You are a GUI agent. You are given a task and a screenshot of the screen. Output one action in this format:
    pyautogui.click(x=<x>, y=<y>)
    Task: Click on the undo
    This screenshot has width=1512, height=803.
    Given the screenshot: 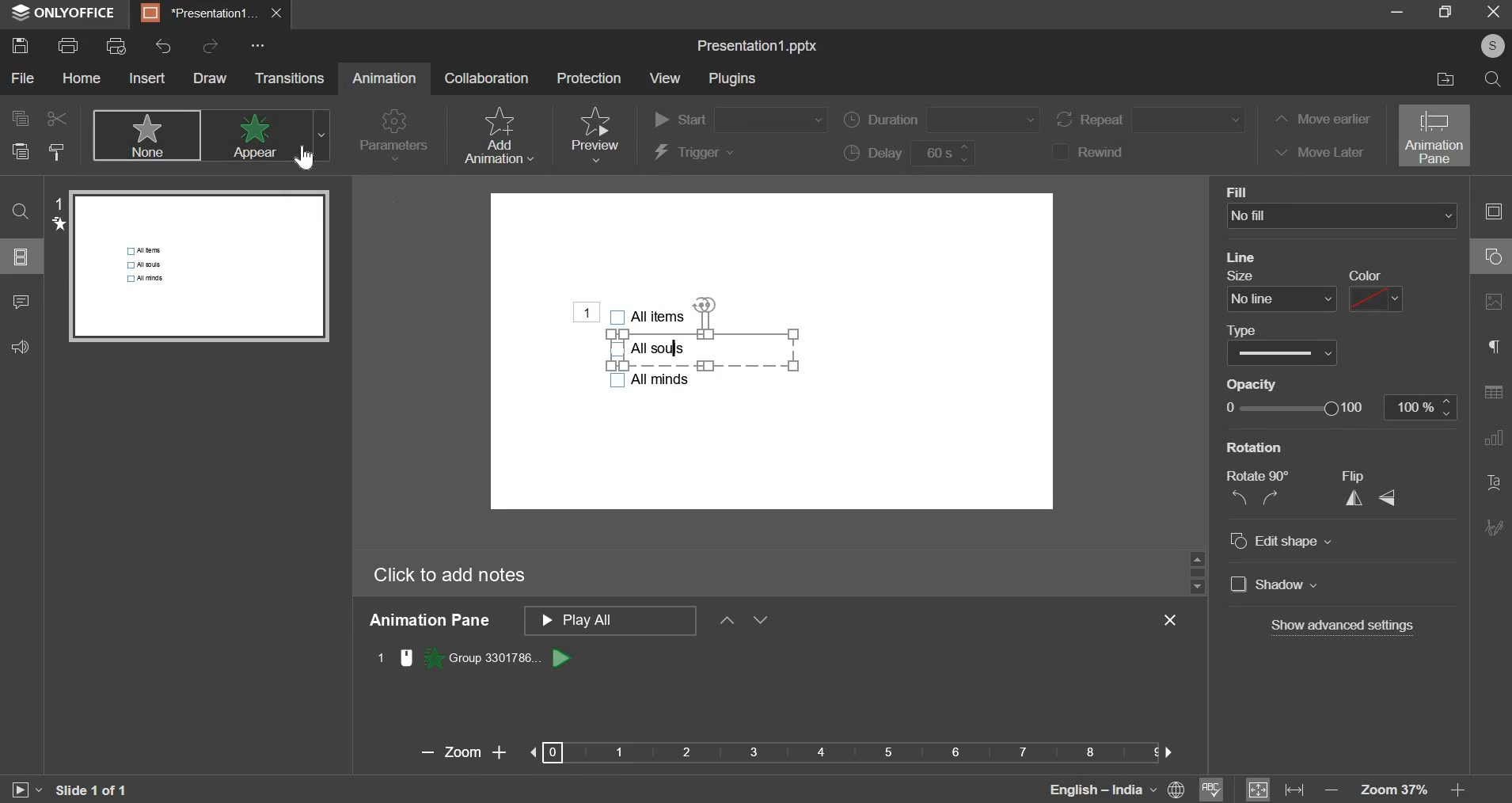 What is the action you would take?
    pyautogui.click(x=163, y=47)
    